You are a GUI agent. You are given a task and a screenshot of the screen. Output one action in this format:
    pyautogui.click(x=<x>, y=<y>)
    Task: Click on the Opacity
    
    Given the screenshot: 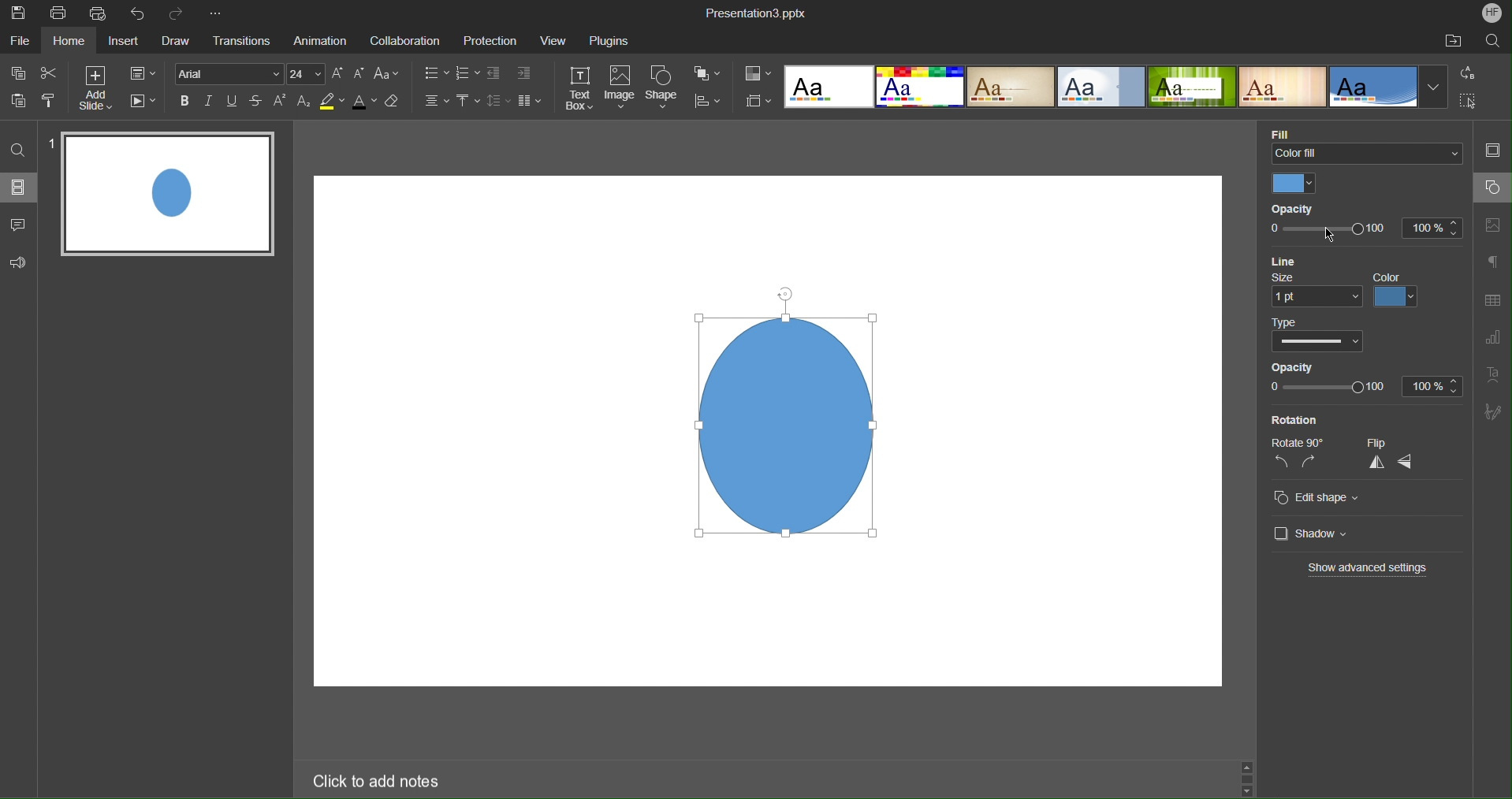 What is the action you would take?
    pyautogui.click(x=1298, y=209)
    